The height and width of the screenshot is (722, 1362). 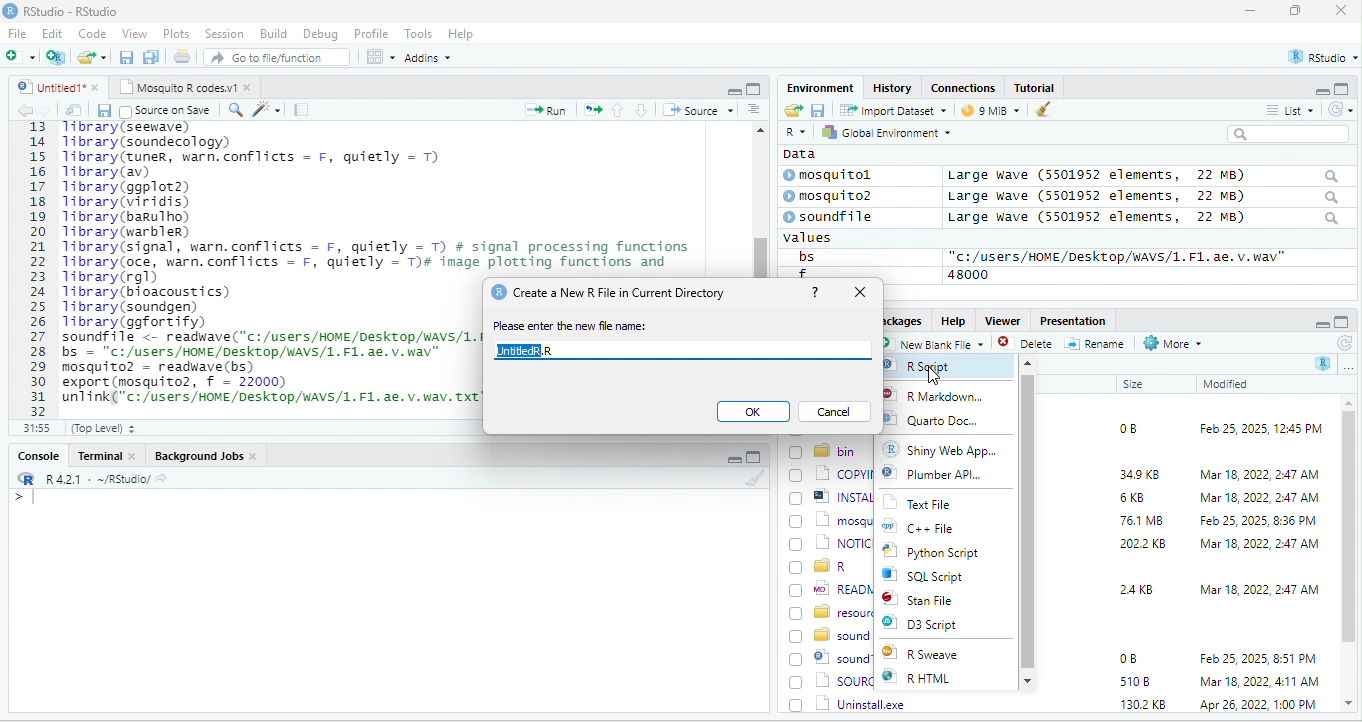 What do you see at coordinates (1258, 544) in the screenshot?
I see `‘Mar 18, 2022, 2:47 AM` at bounding box center [1258, 544].